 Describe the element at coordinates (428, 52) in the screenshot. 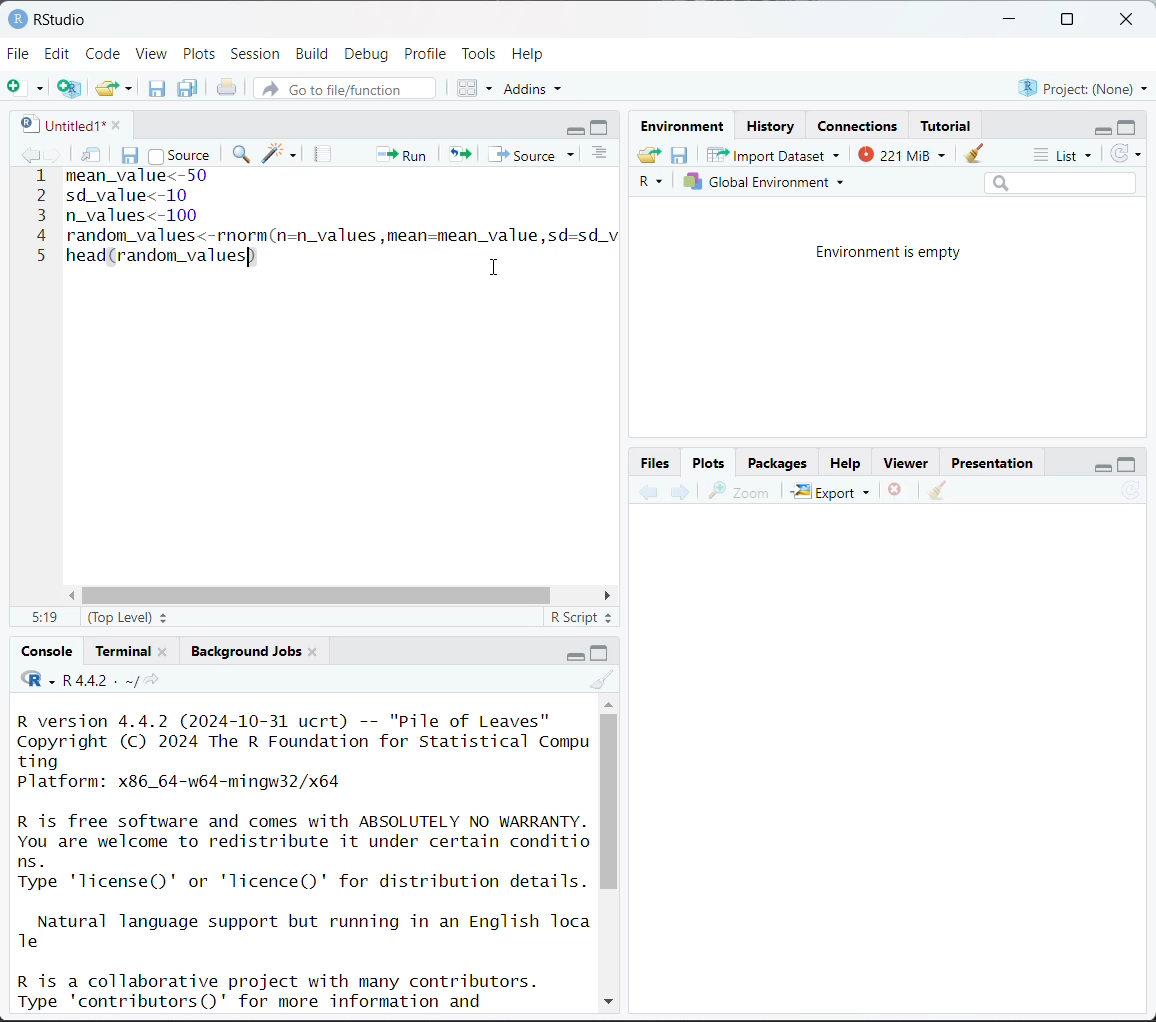

I see `Profile` at that location.